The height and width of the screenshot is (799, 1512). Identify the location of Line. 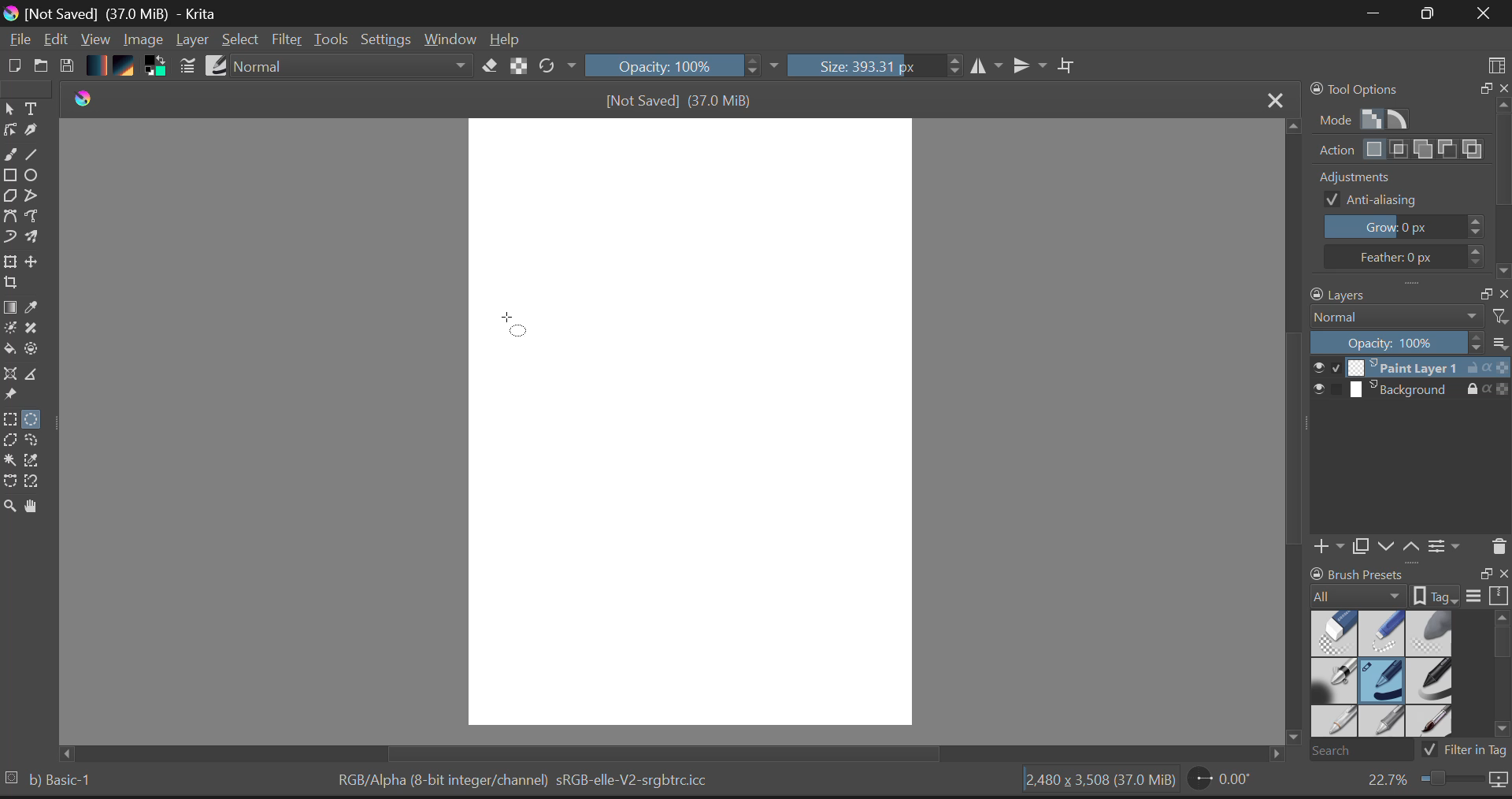
(37, 157).